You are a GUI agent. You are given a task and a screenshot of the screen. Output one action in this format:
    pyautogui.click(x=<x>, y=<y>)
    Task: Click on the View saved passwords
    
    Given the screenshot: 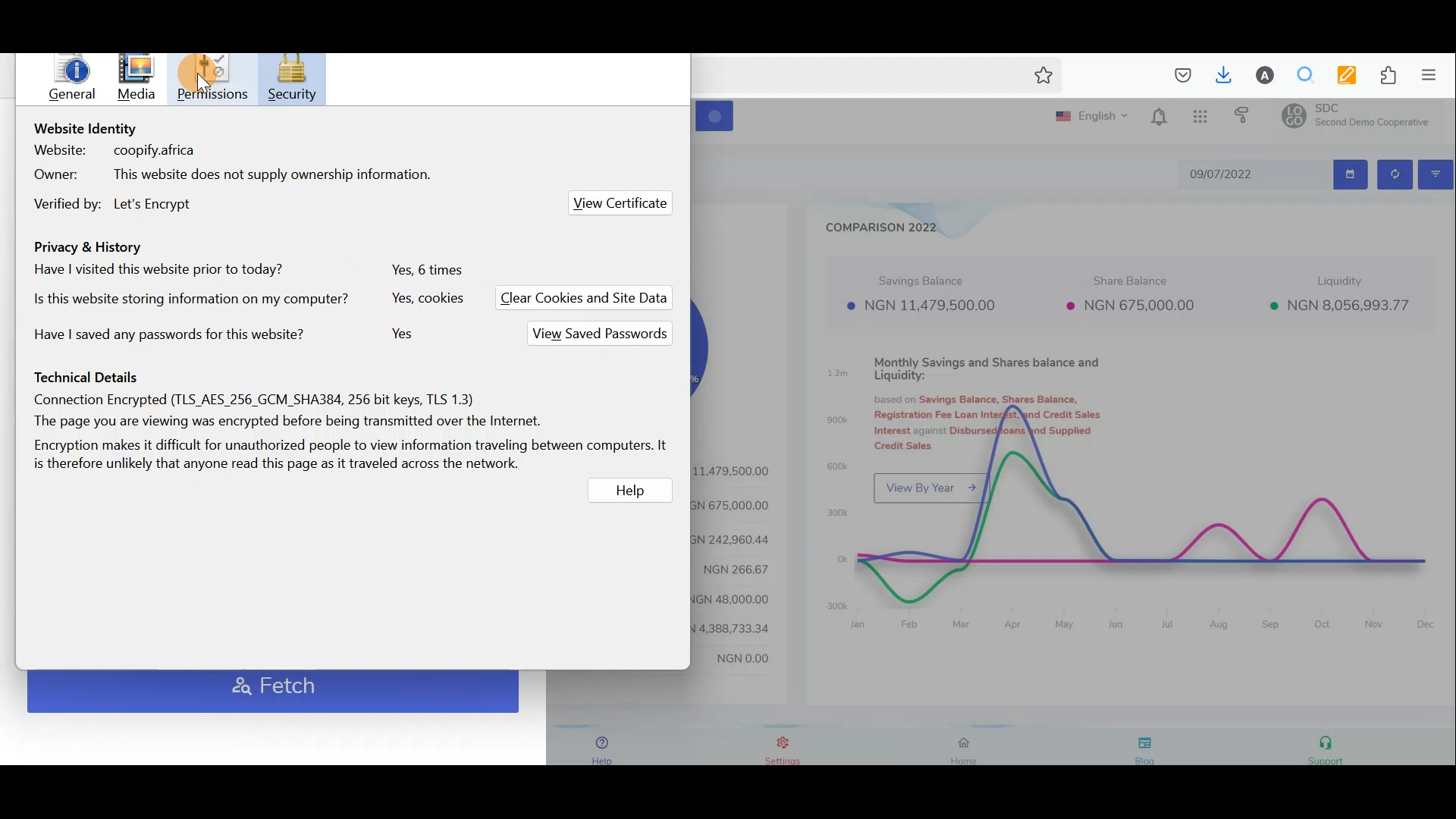 What is the action you would take?
    pyautogui.click(x=595, y=334)
    